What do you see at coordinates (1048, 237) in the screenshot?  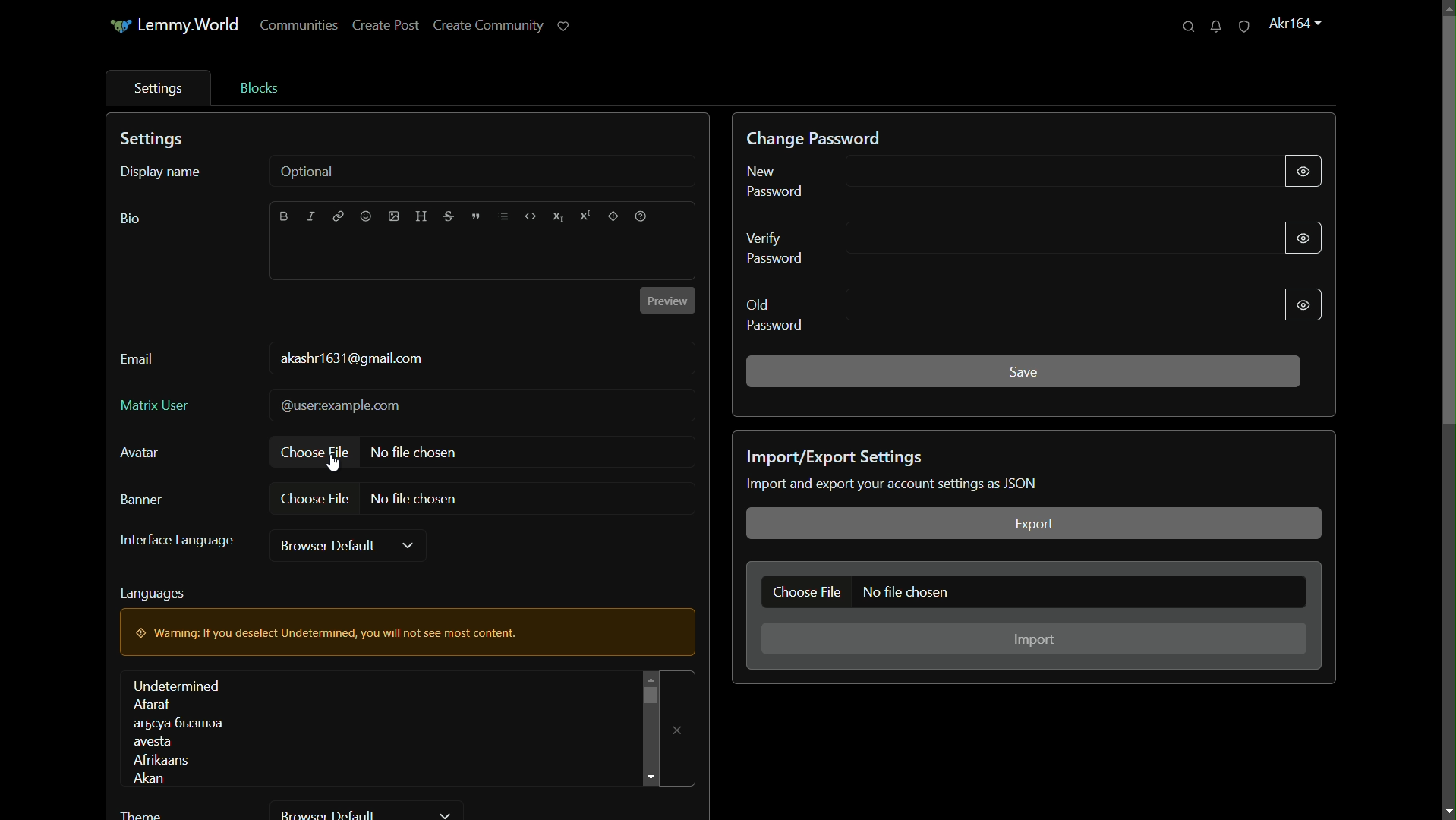 I see `verify password input bar` at bounding box center [1048, 237].